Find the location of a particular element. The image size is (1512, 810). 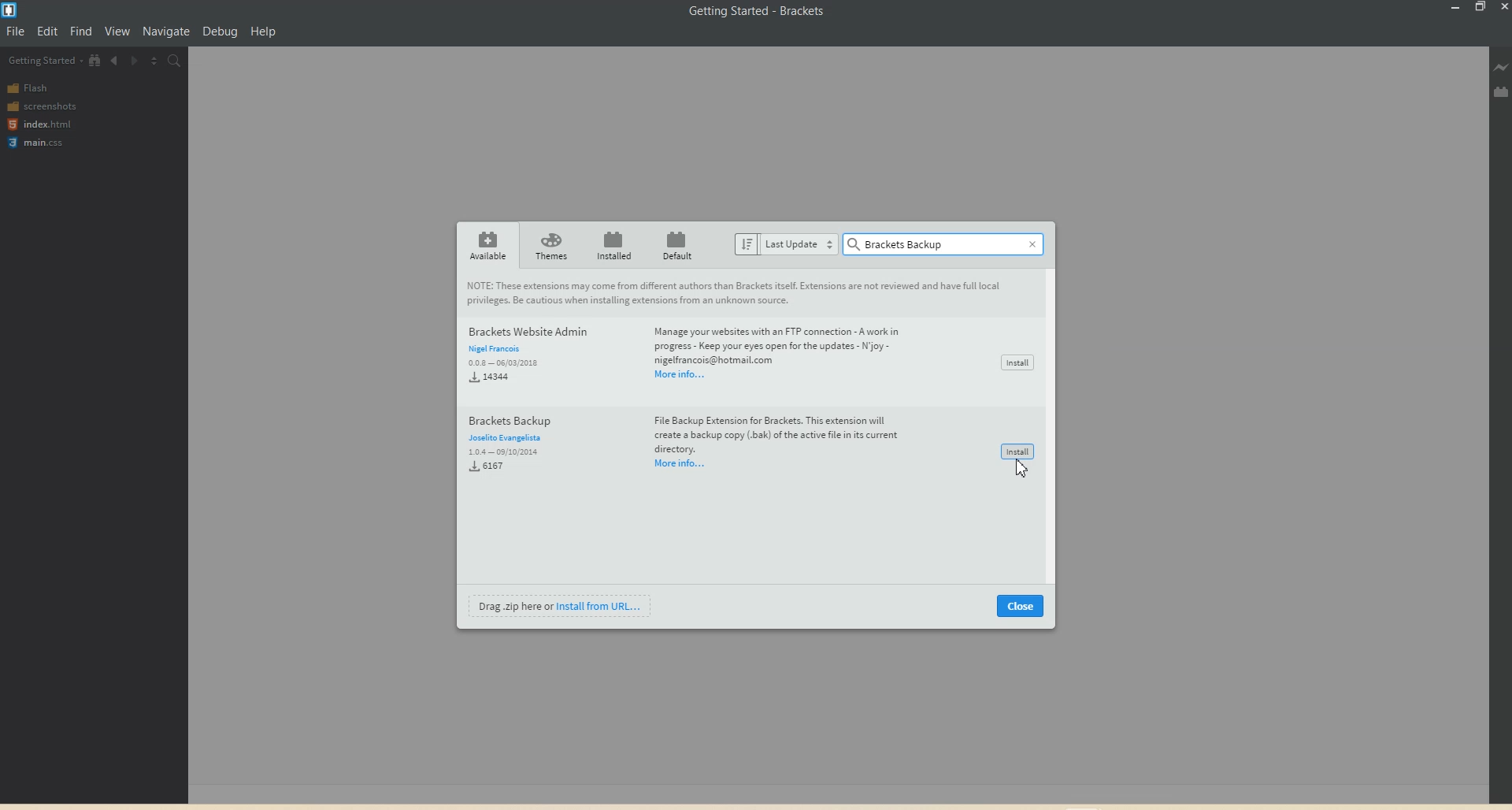

screenshots is located at coordinates (43, 105).